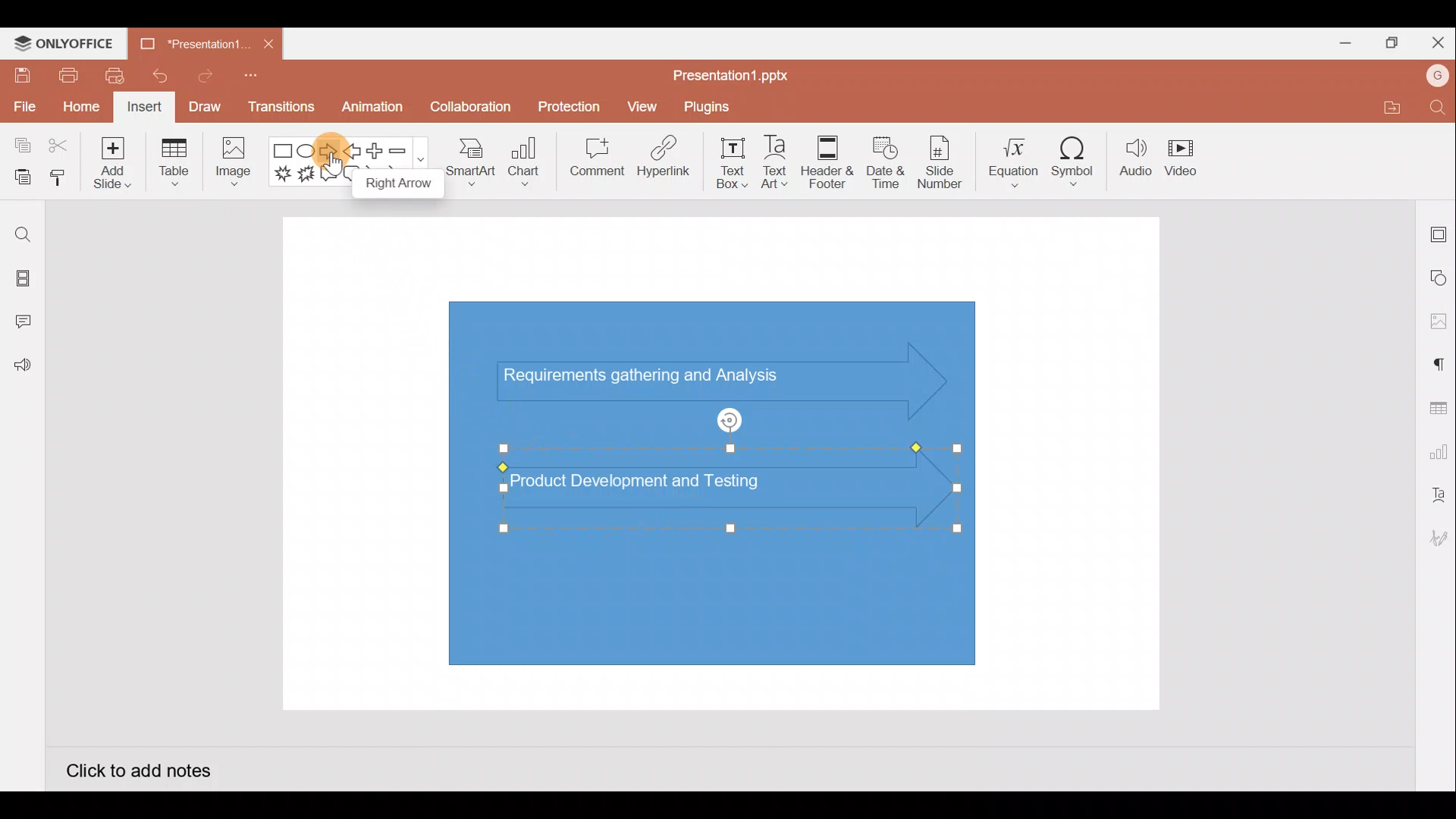 The width and height of the screenshot is (1456, 819). I want to click on Table settings, so click(1435, 406).